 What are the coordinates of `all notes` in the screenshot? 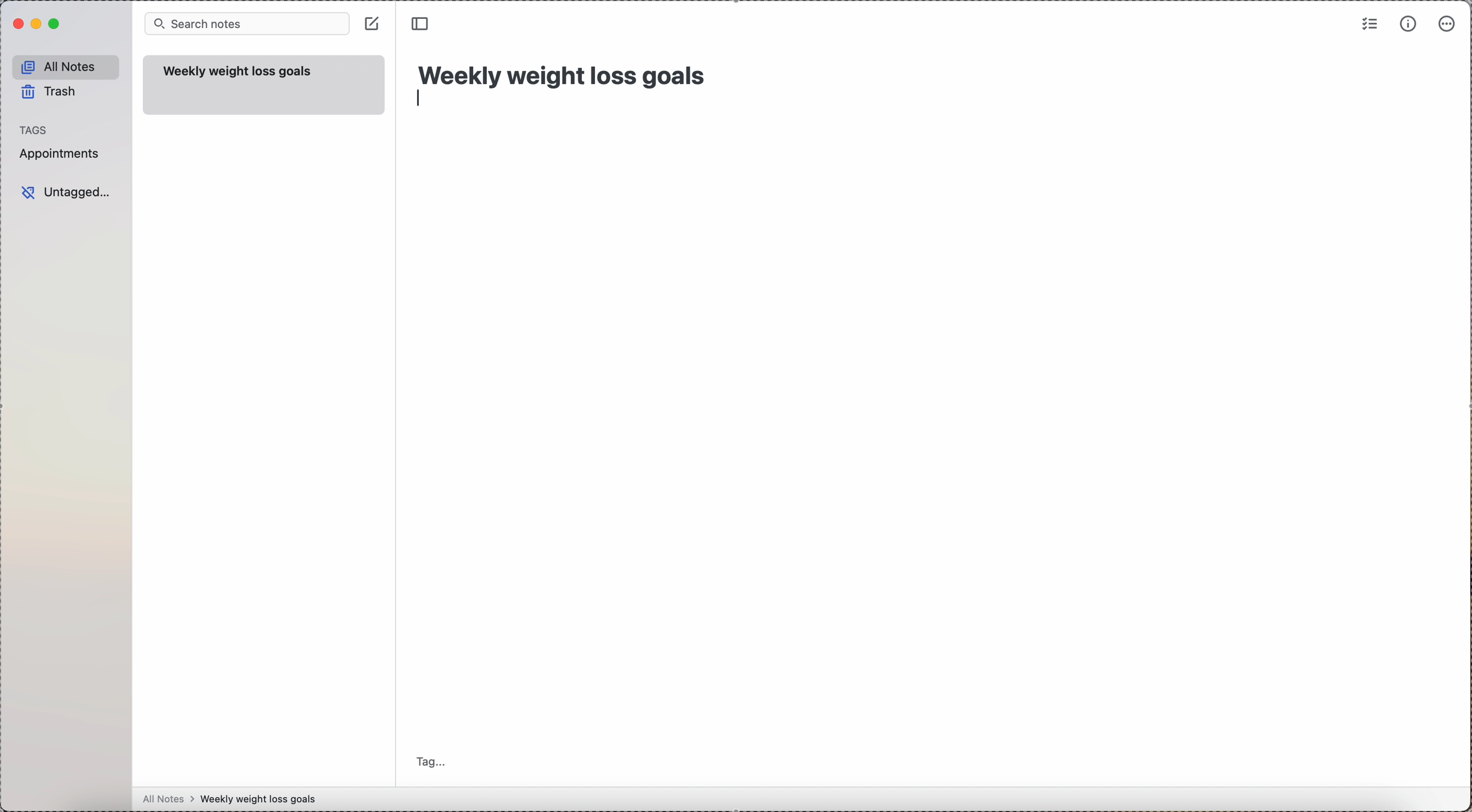 It's located at (66, 66).